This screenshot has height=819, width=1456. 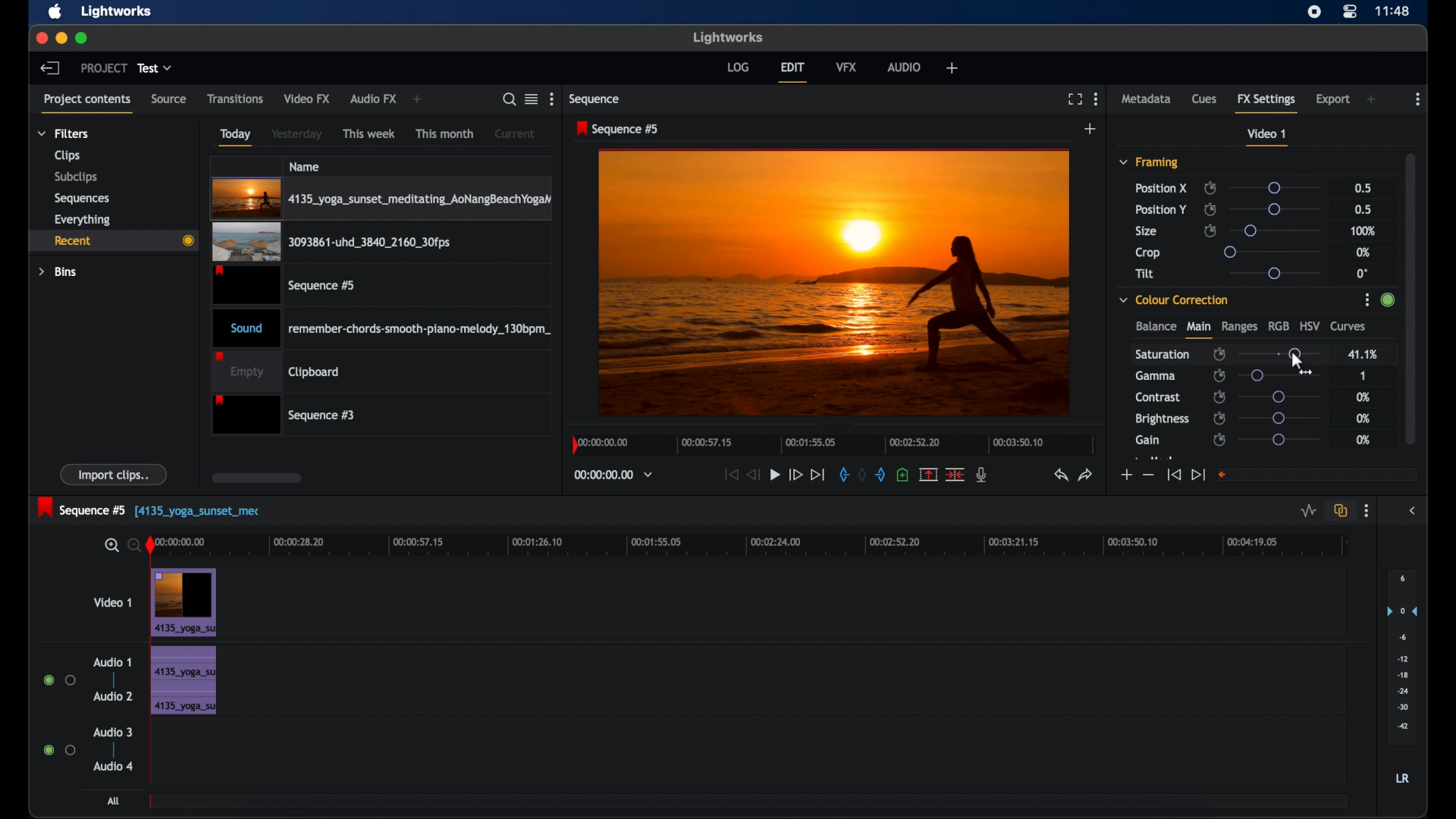 What do you see at coordinates (1350, 327) in the screenshot?
I see `curves` at bounding box center [1350, 327].